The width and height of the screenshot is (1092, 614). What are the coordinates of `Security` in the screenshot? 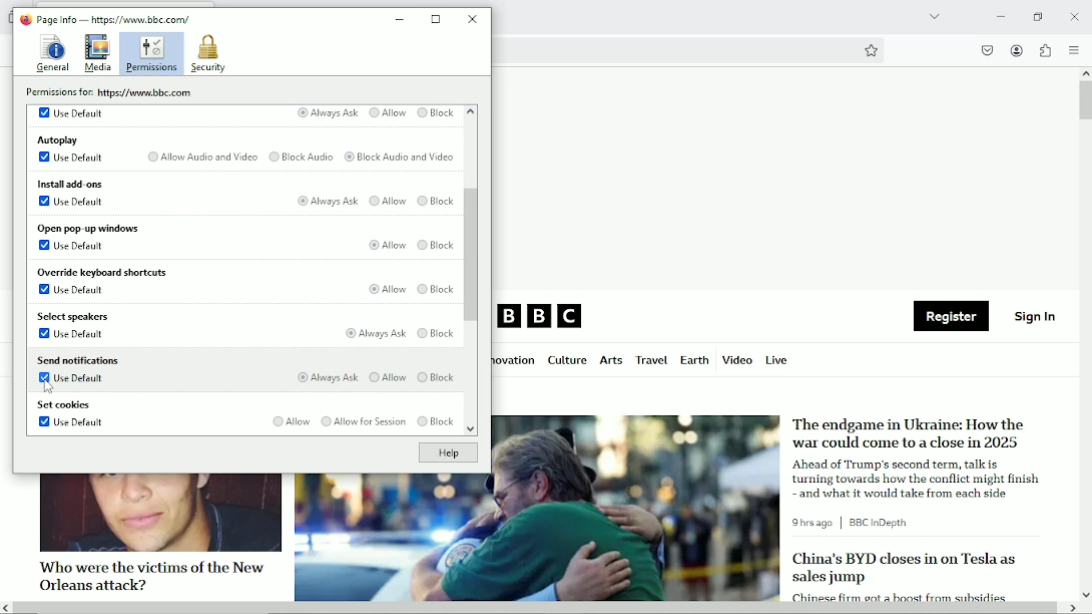 It's located at (208, 54).